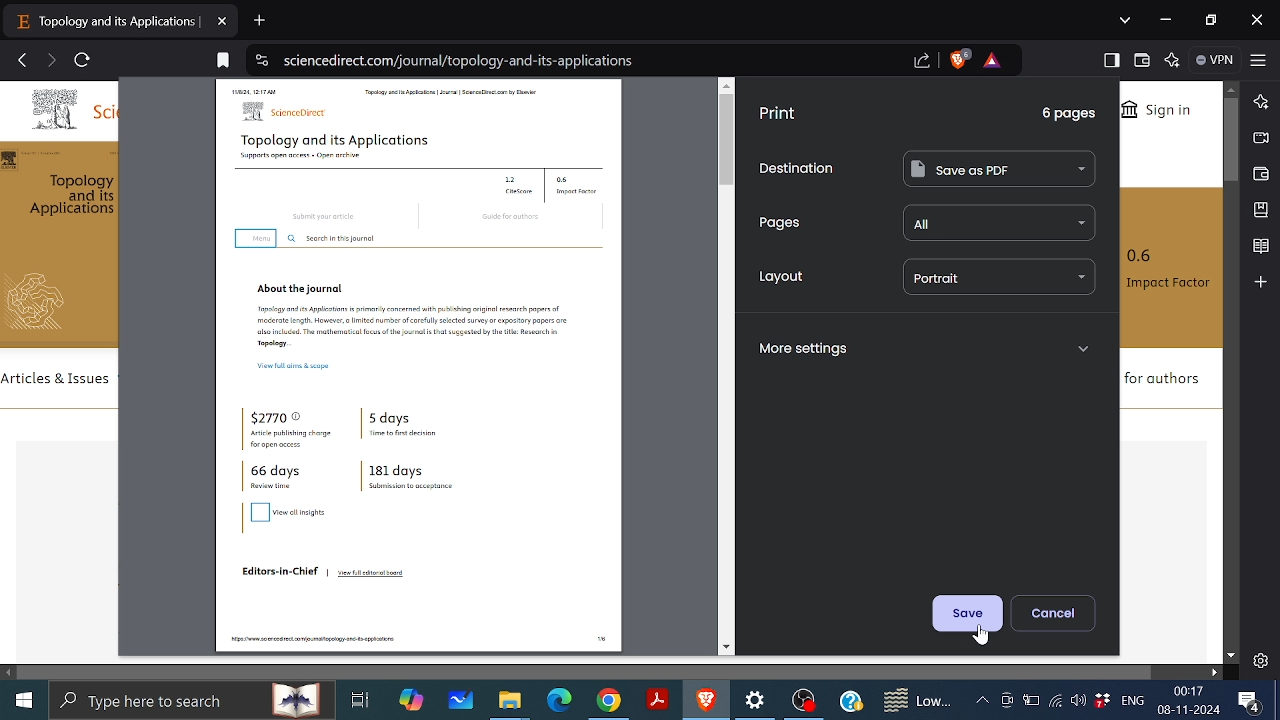 This screenshot has height=720, width=1280. What do you see at coordinates (782, 280) in the screenshot?
I see `Layout` at bounding box center [782, 280].